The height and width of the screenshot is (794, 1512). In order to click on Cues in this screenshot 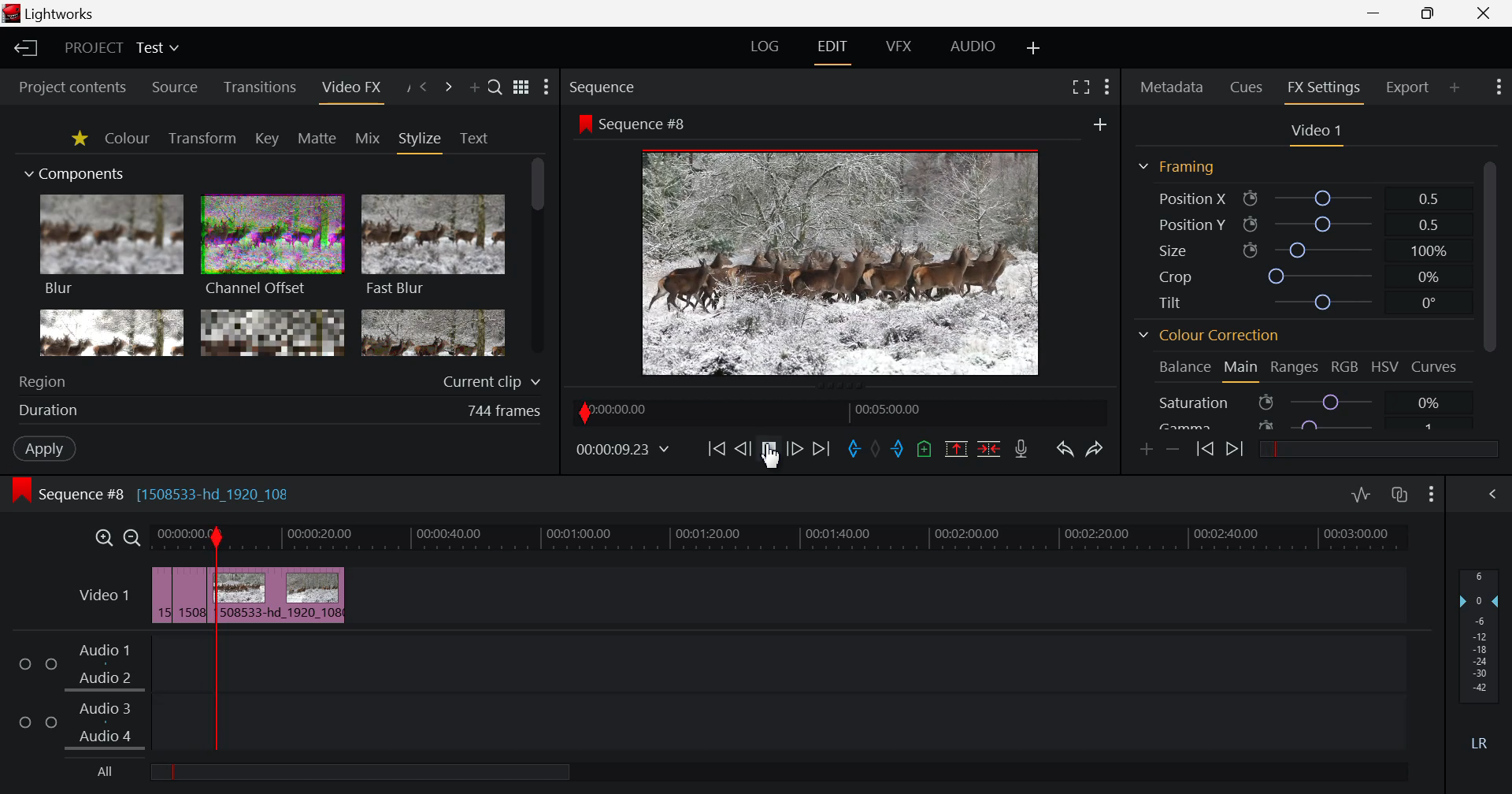, I will do `click(1247, 88)`.